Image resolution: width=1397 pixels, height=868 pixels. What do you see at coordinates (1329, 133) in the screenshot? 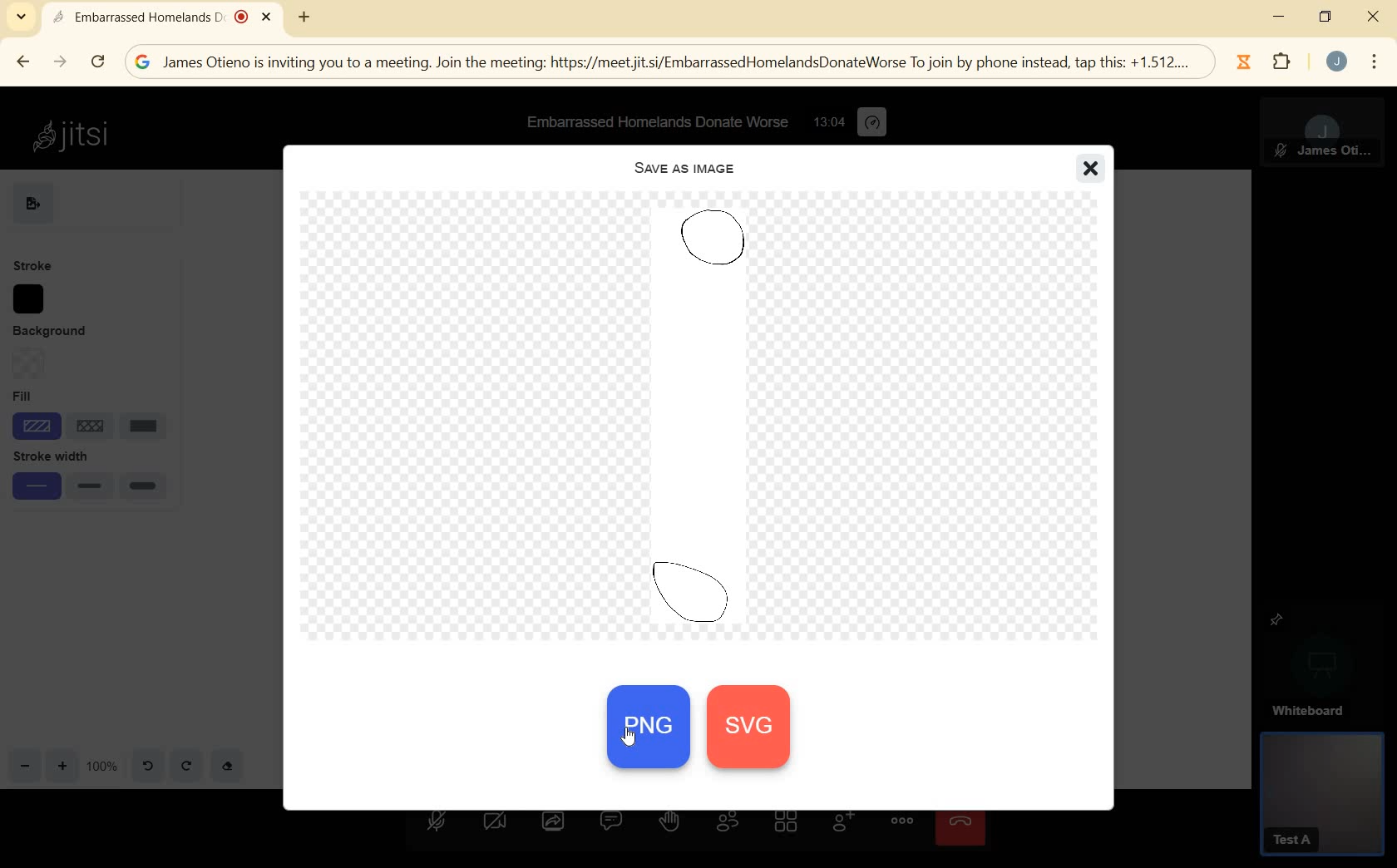
I see `MODERATOR PANEL VIEW` at bounding box center [1329, 133].